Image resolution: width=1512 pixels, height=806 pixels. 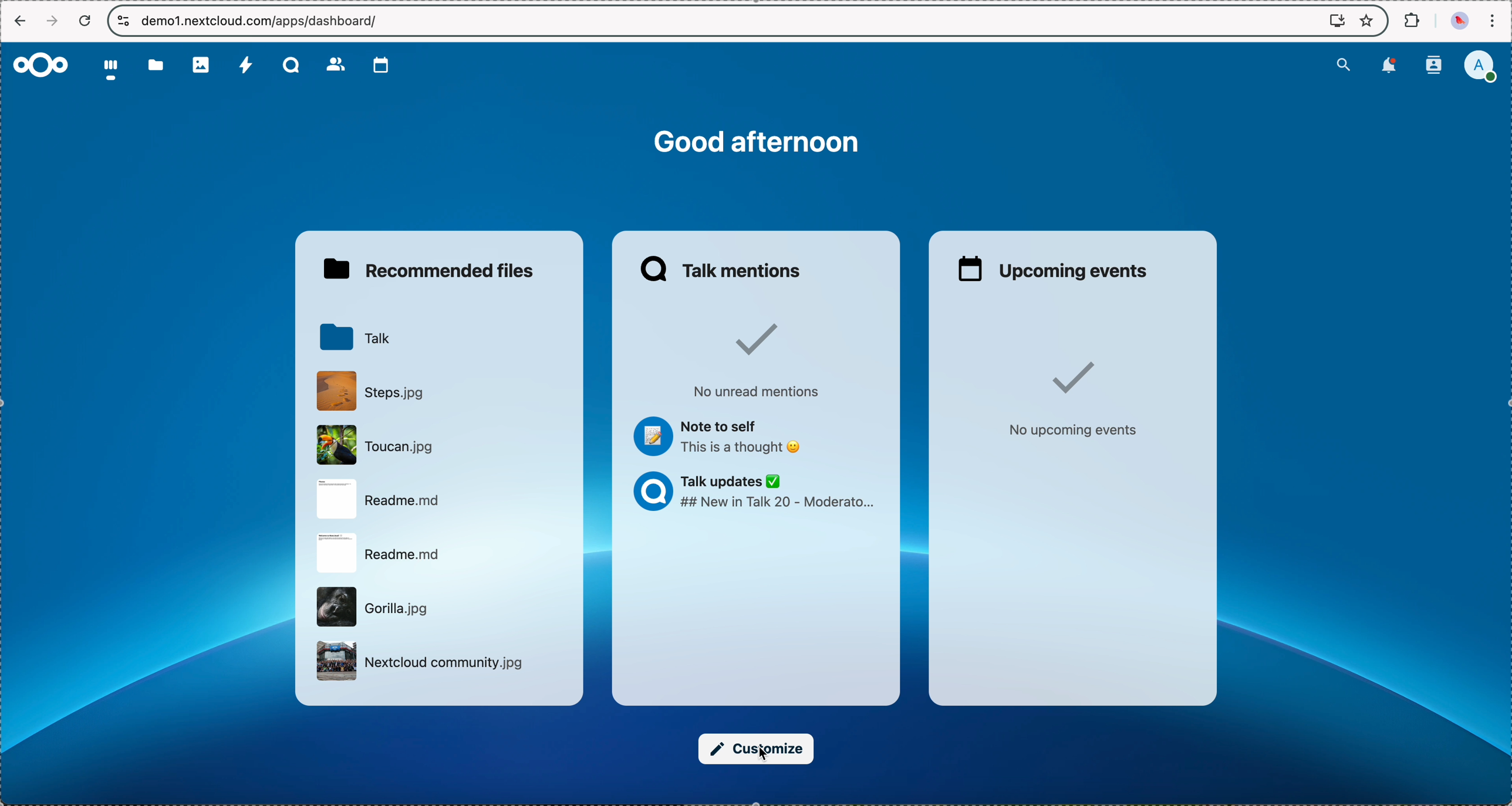 I want to click on Talk updates, so click(x=759, y=493).